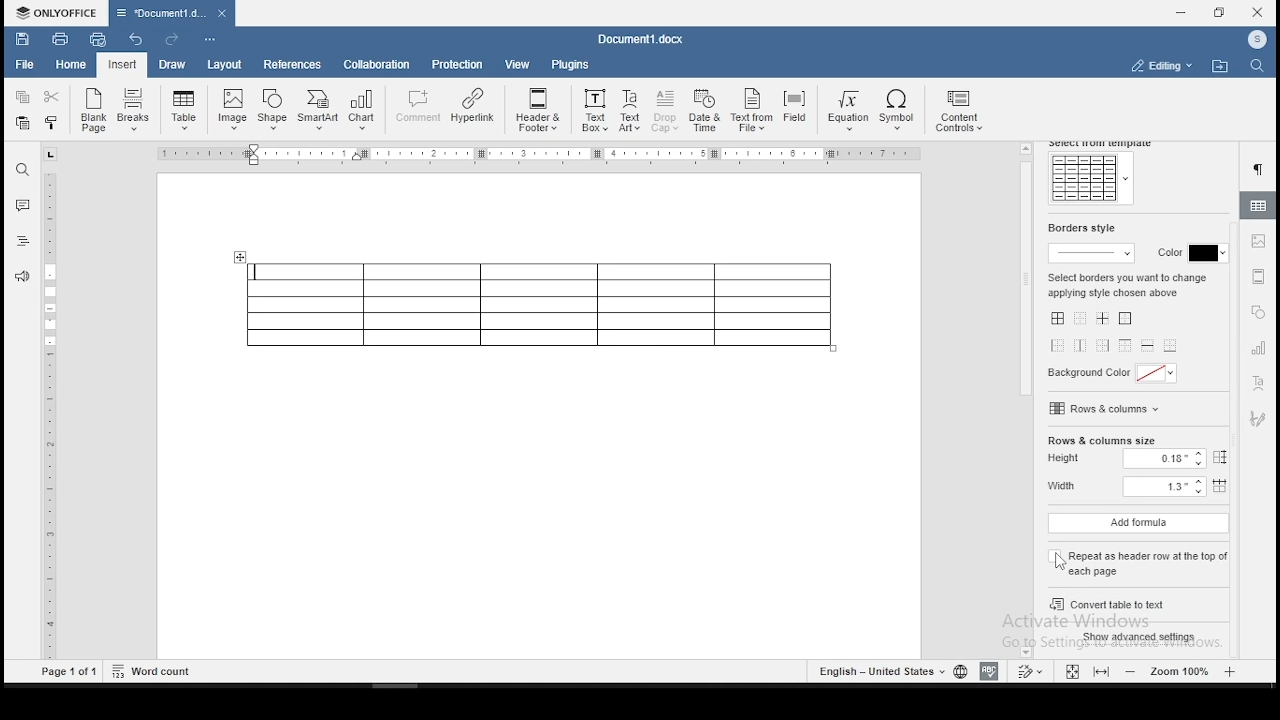 Image resolution: width=1280 pixels, height=720 pixels. Describe the element at coordinates (1258, 276) in the screenshot. I see `headers & footers` at that location.